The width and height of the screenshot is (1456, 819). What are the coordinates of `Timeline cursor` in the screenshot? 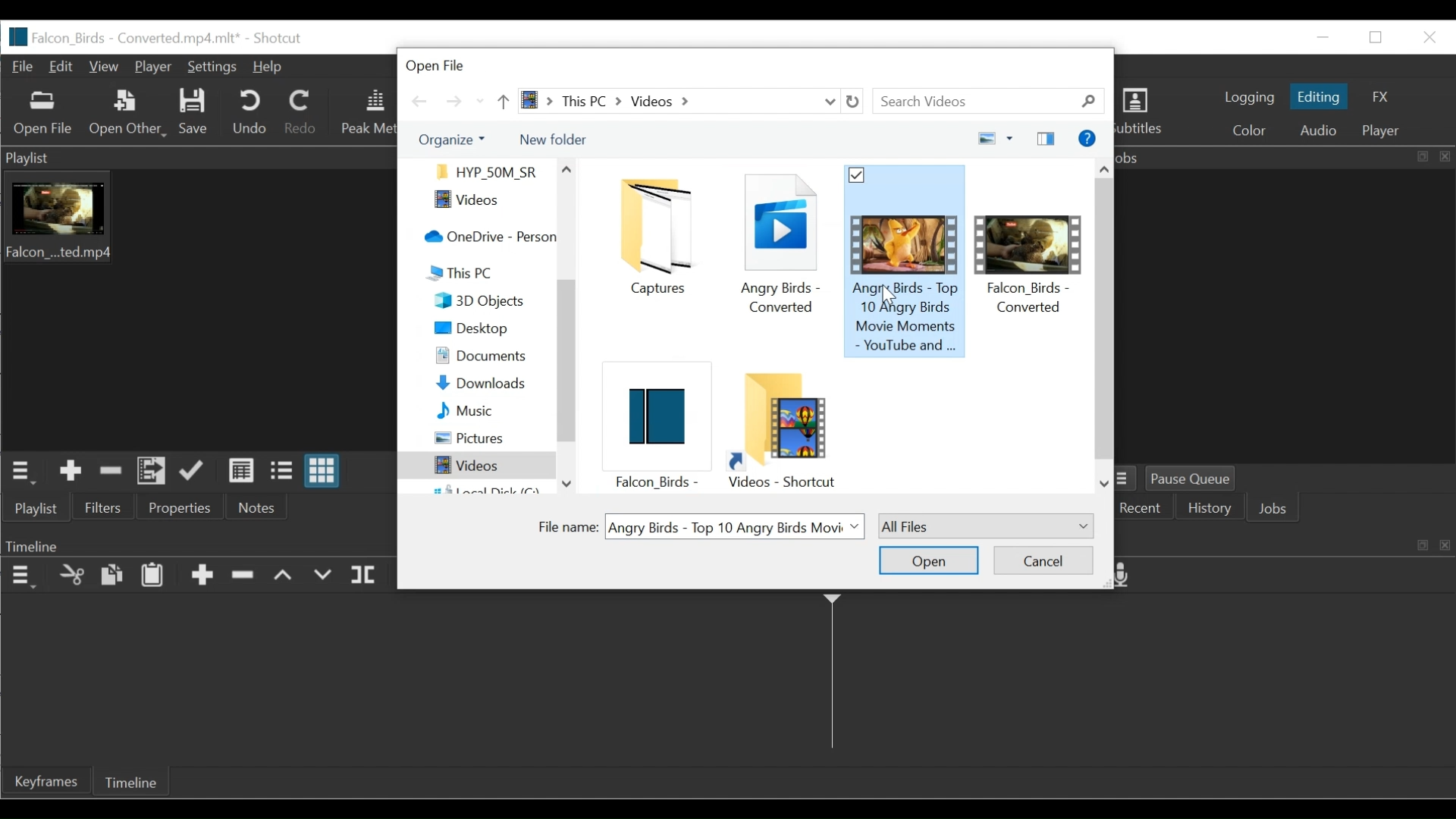 It's located at (831, 676).